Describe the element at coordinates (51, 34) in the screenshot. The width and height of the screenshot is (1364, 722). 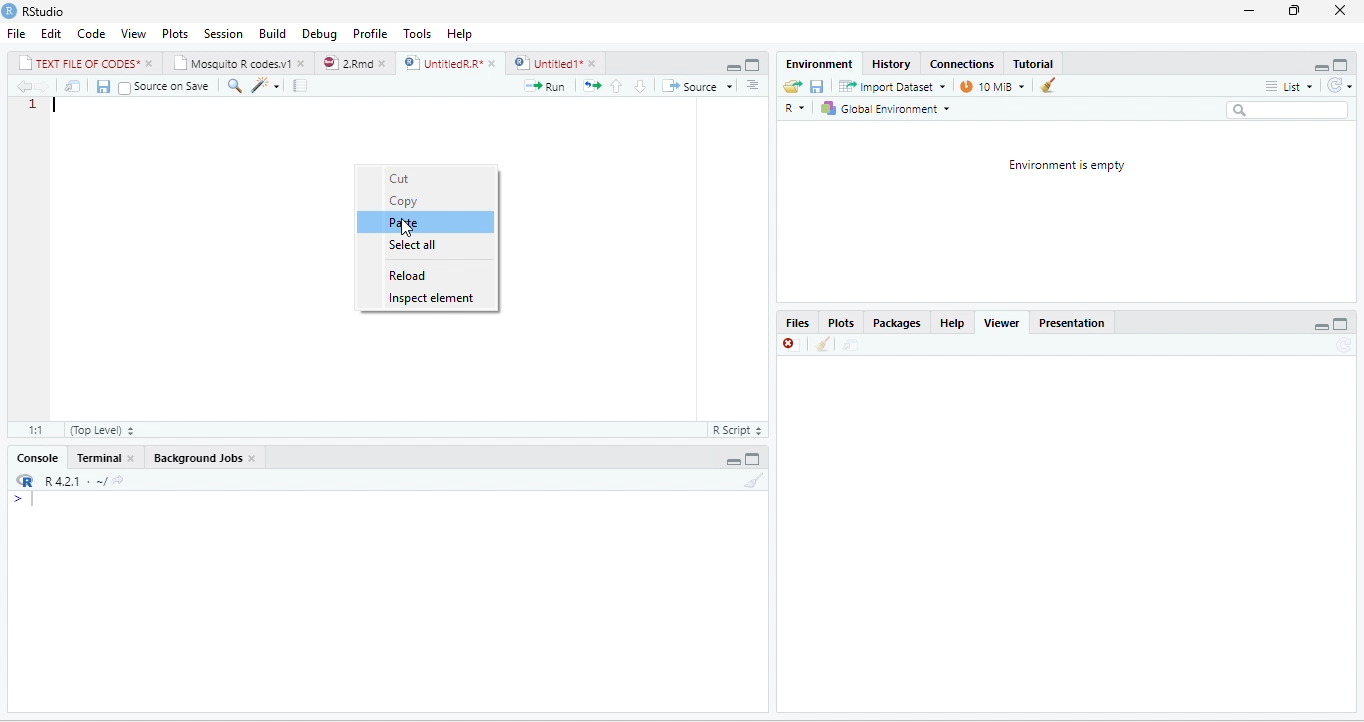
I see `Edit` at that location.